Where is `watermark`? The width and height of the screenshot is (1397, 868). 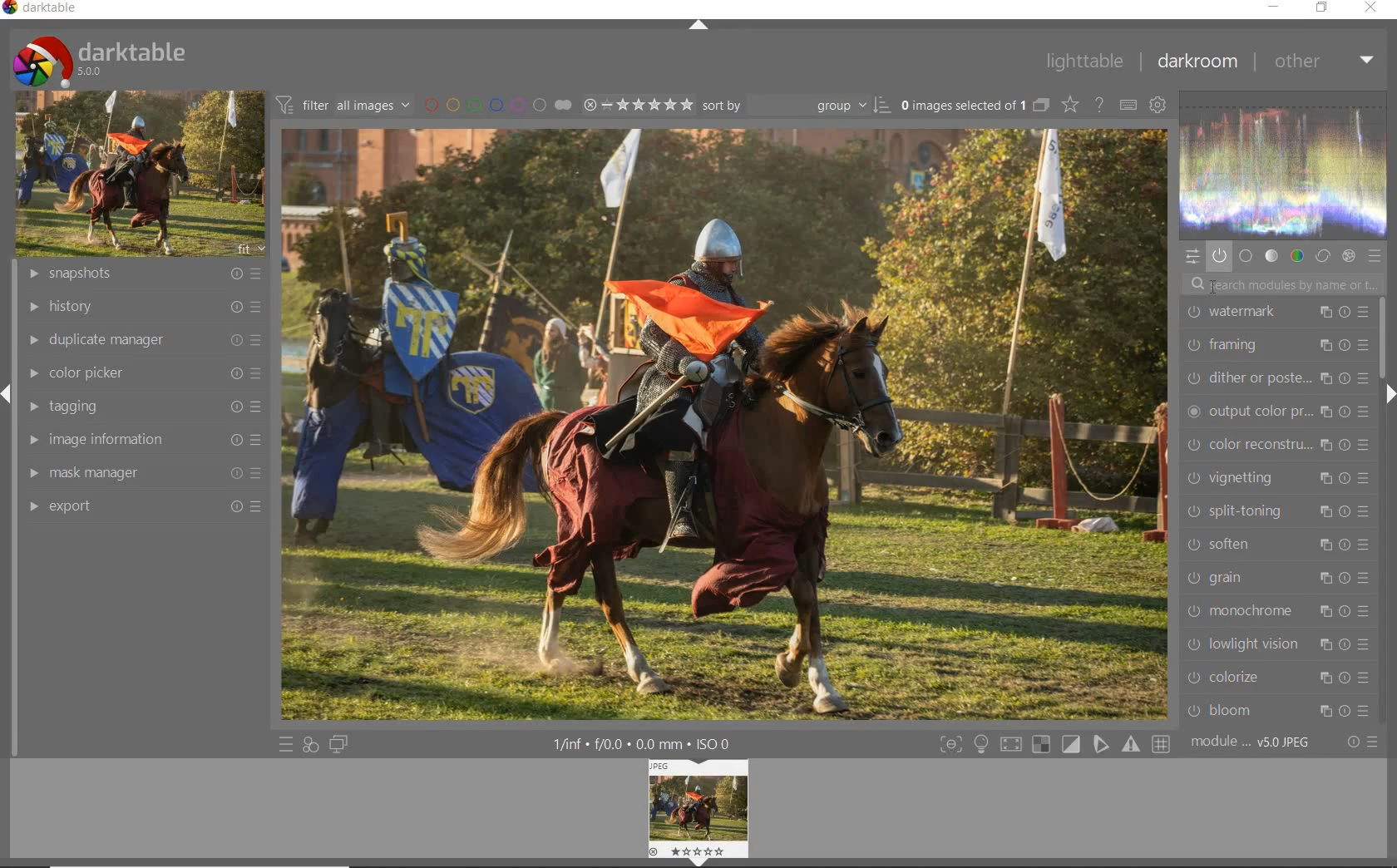 watermark is located at coordinates (1276, 313).